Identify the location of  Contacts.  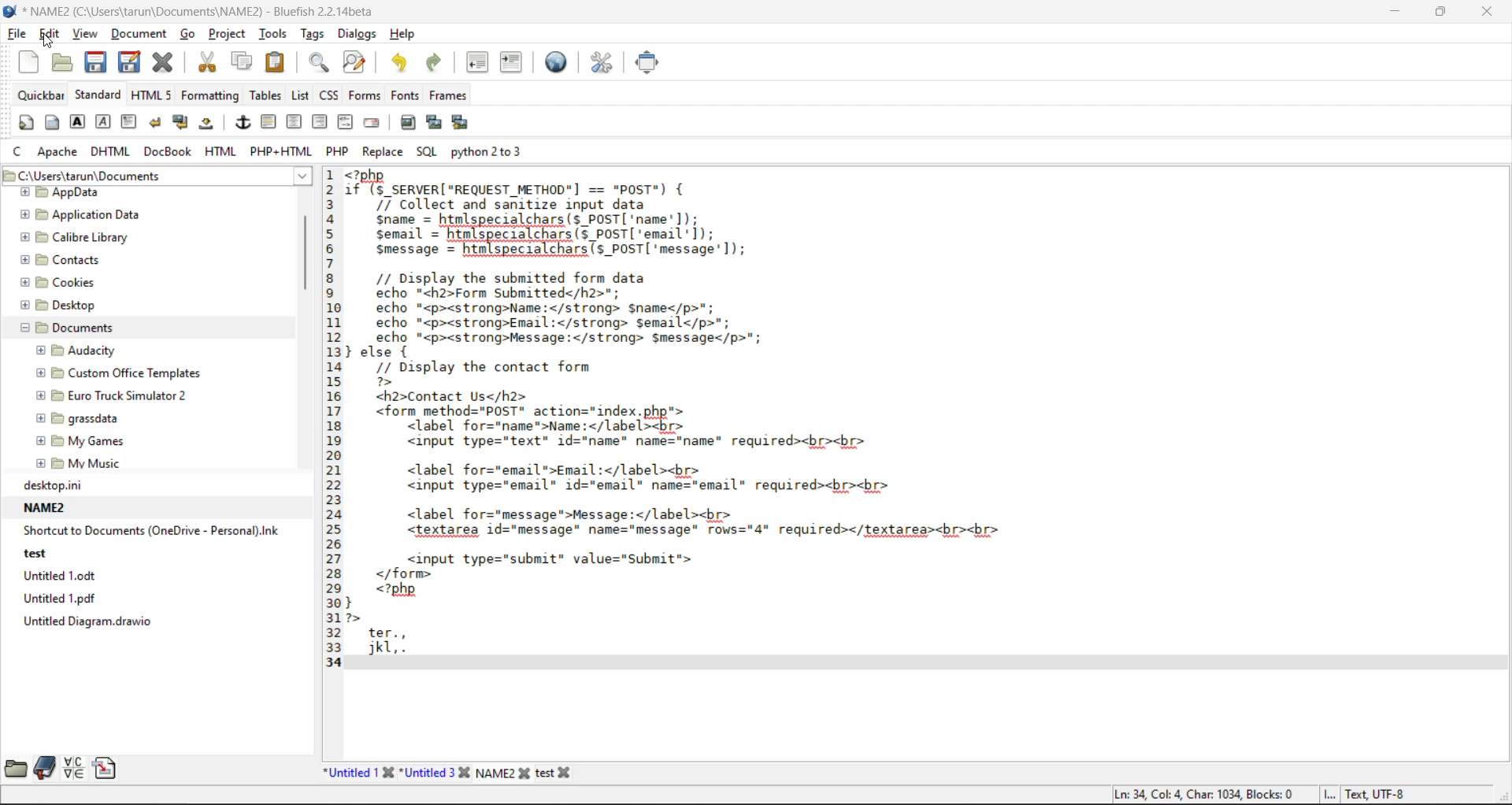
(63, 258).